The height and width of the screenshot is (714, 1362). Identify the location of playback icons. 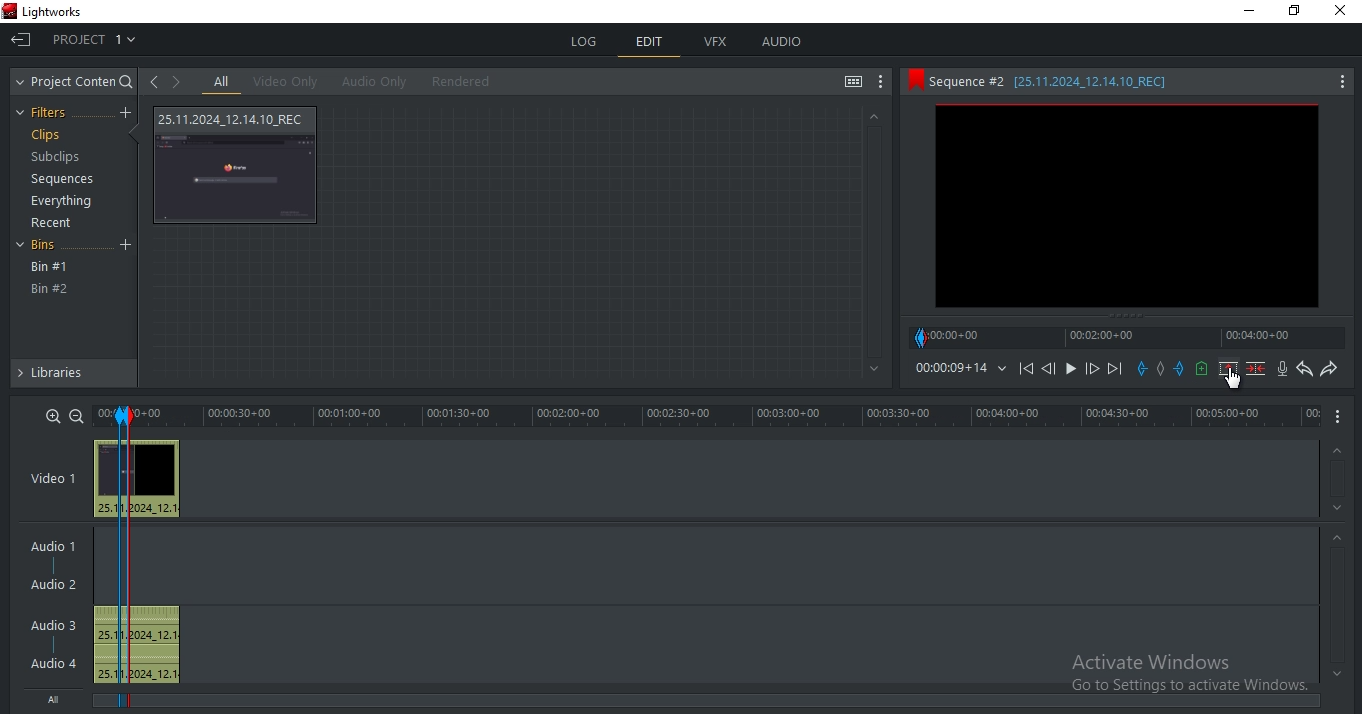
(1025, 367).